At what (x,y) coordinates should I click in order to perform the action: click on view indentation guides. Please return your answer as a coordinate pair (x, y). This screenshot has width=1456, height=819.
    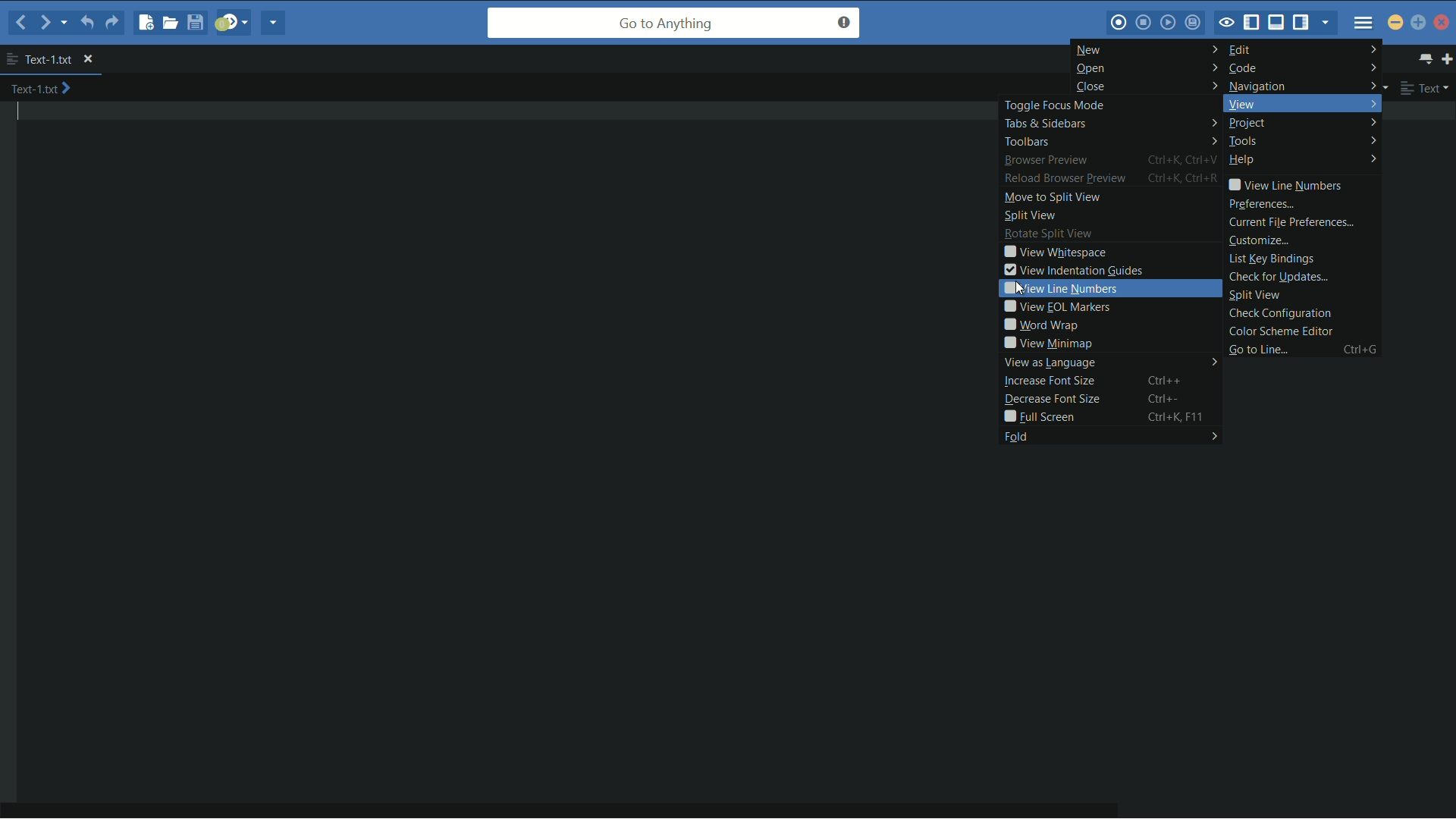
    Looking at the image, I should click on (1071, 271).